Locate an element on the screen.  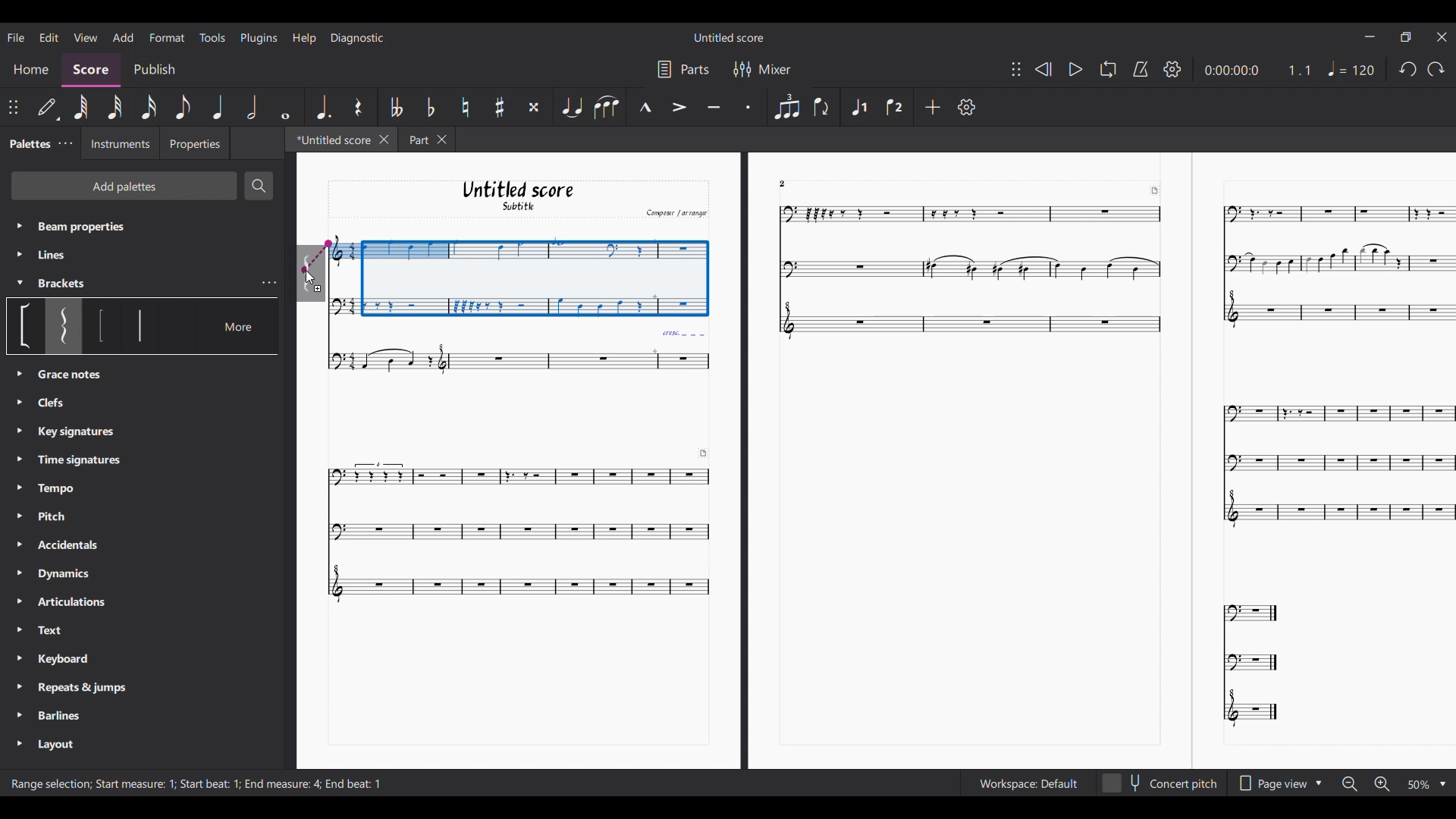
Toggle double flat is located at coordinates (397, 106).